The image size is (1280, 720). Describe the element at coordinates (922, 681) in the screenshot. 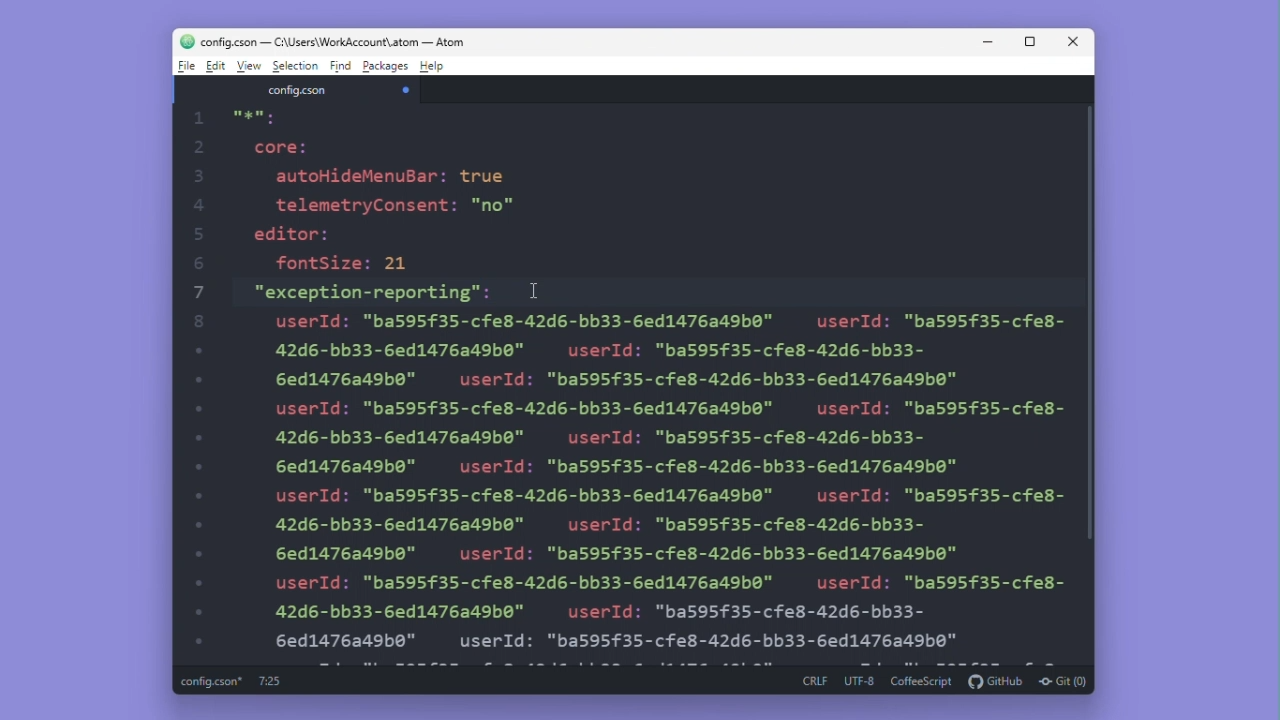

I see `coffeescript` at that location.